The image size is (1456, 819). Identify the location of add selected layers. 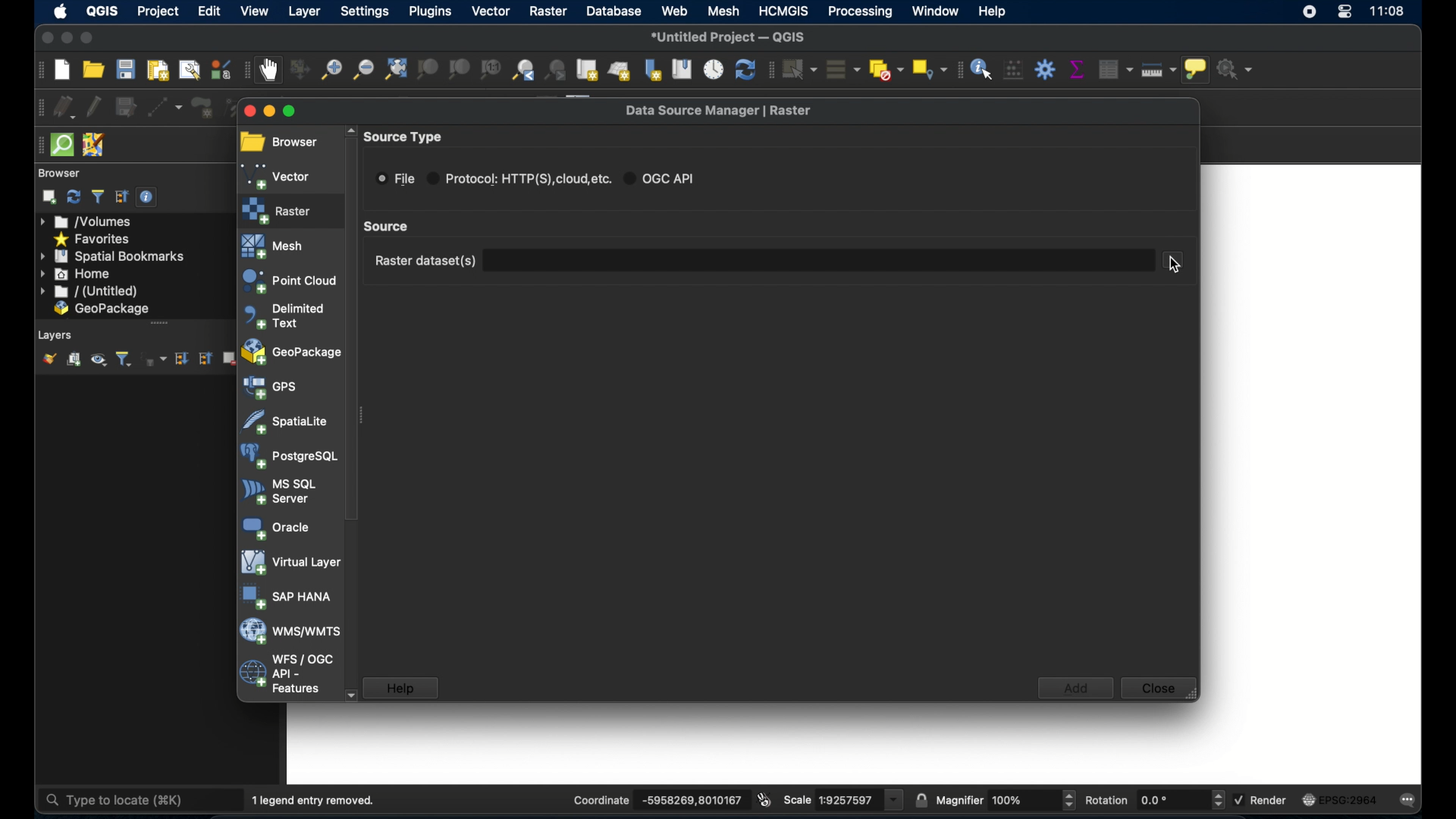
(49, 197).